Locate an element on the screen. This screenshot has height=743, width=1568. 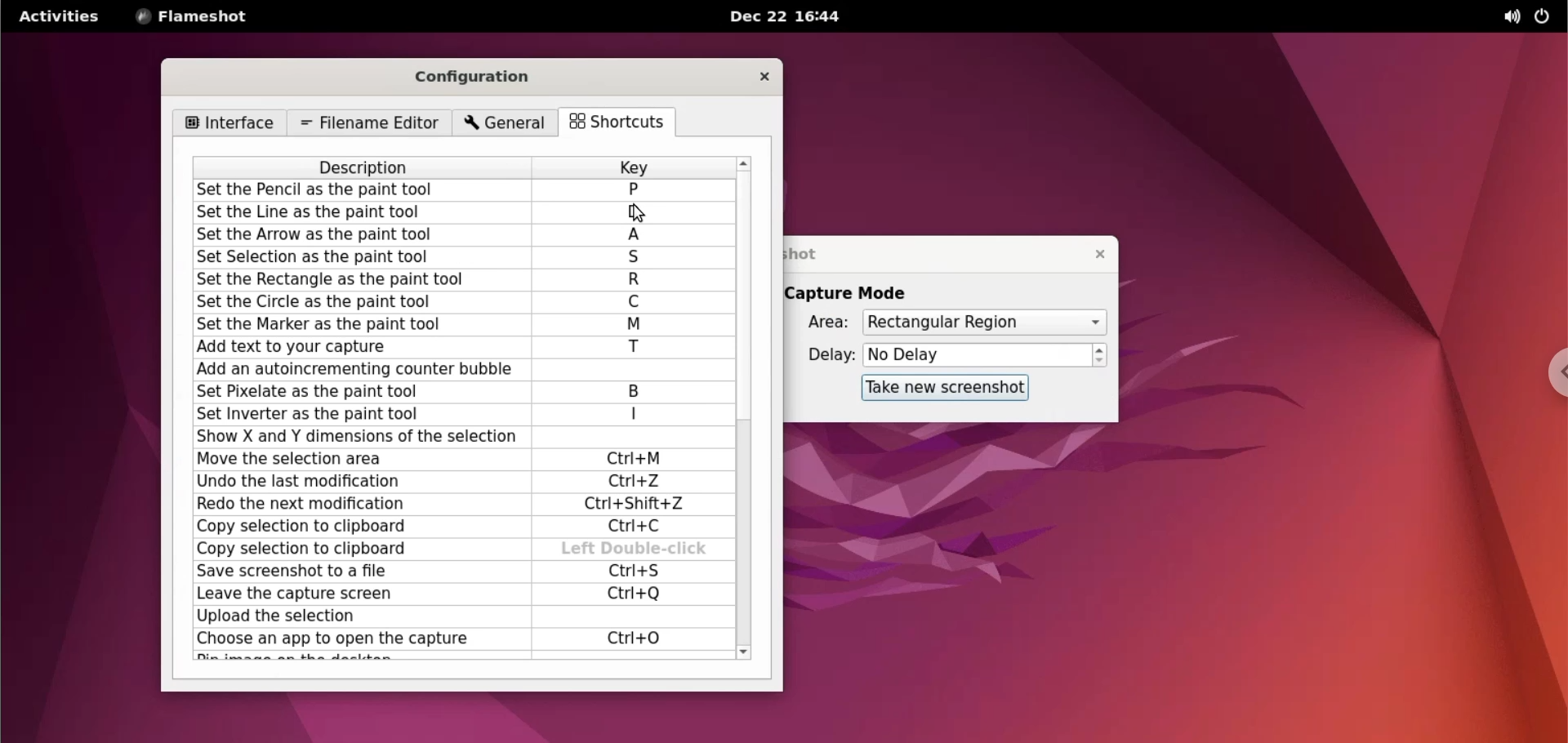
power options  is located at coordinates (1545, 17).